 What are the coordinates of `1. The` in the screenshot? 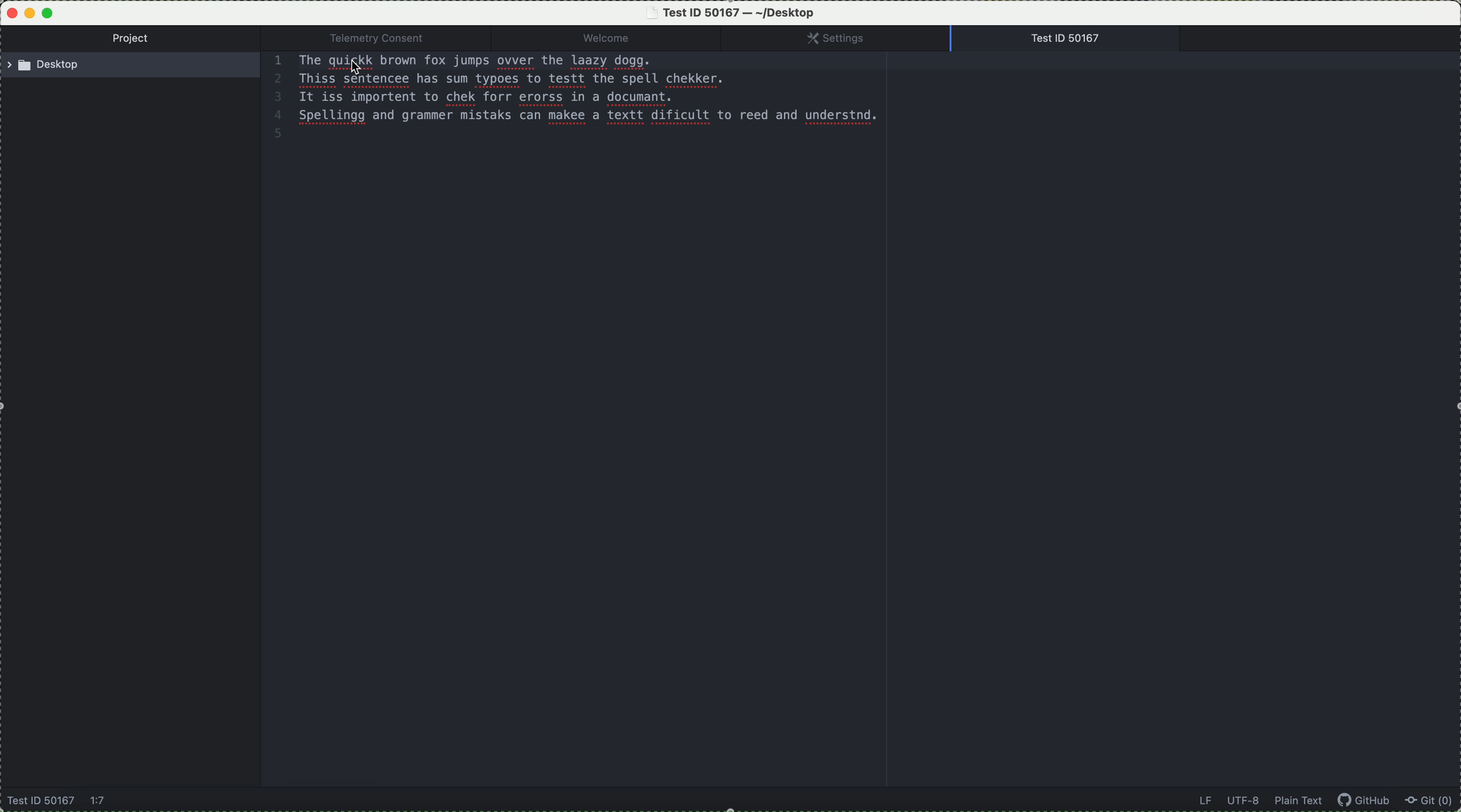 It's located at (293, 61).